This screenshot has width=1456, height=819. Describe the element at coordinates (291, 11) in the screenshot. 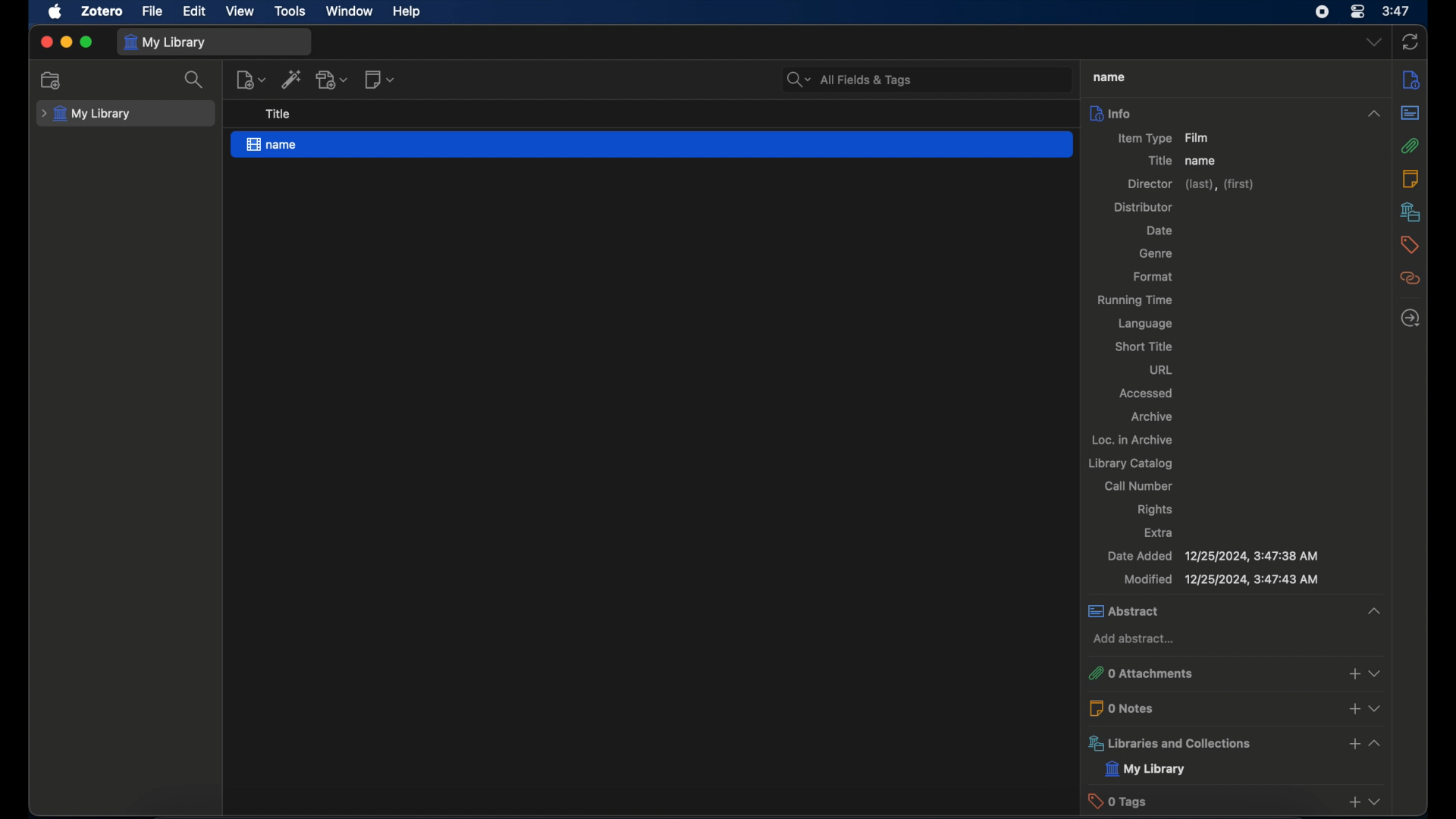

I see `tools` at that location.